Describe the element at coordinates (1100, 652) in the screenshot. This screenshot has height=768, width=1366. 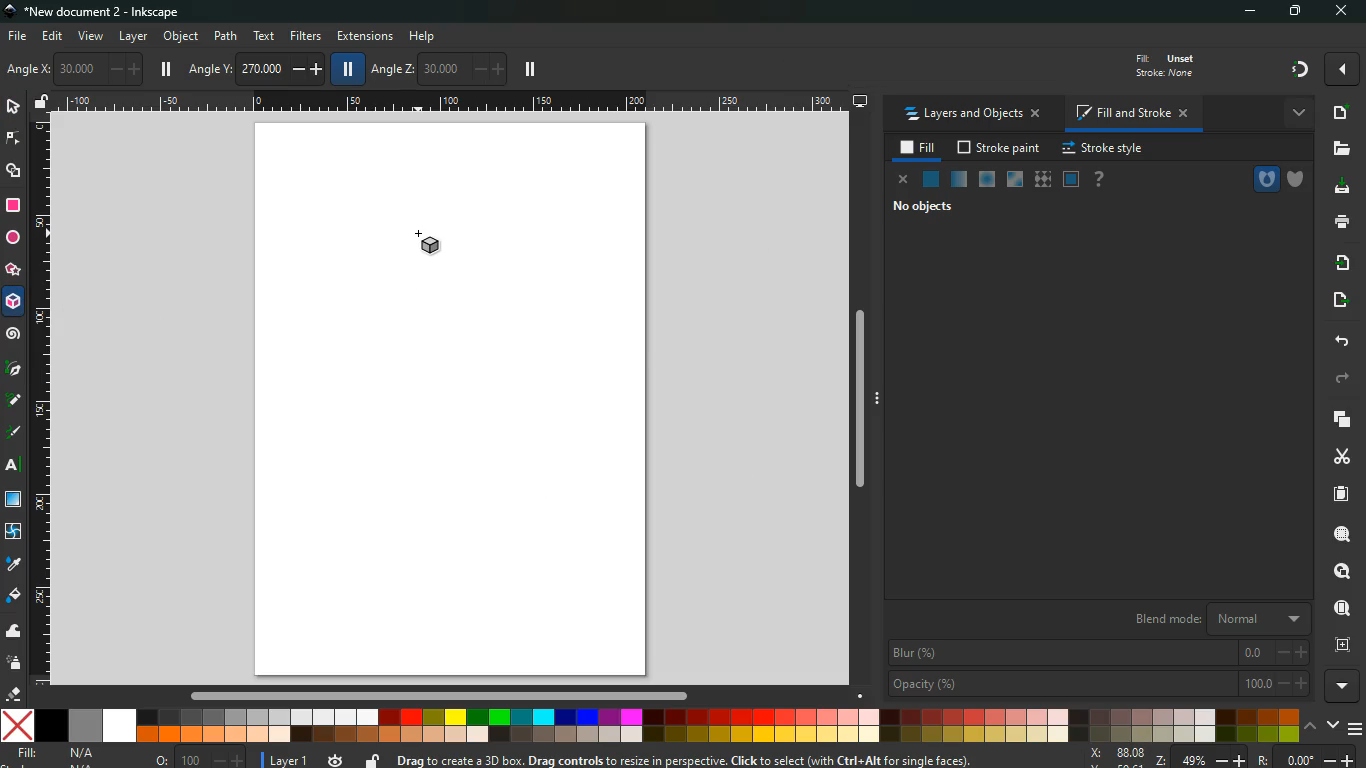
I see `blur` at that location.